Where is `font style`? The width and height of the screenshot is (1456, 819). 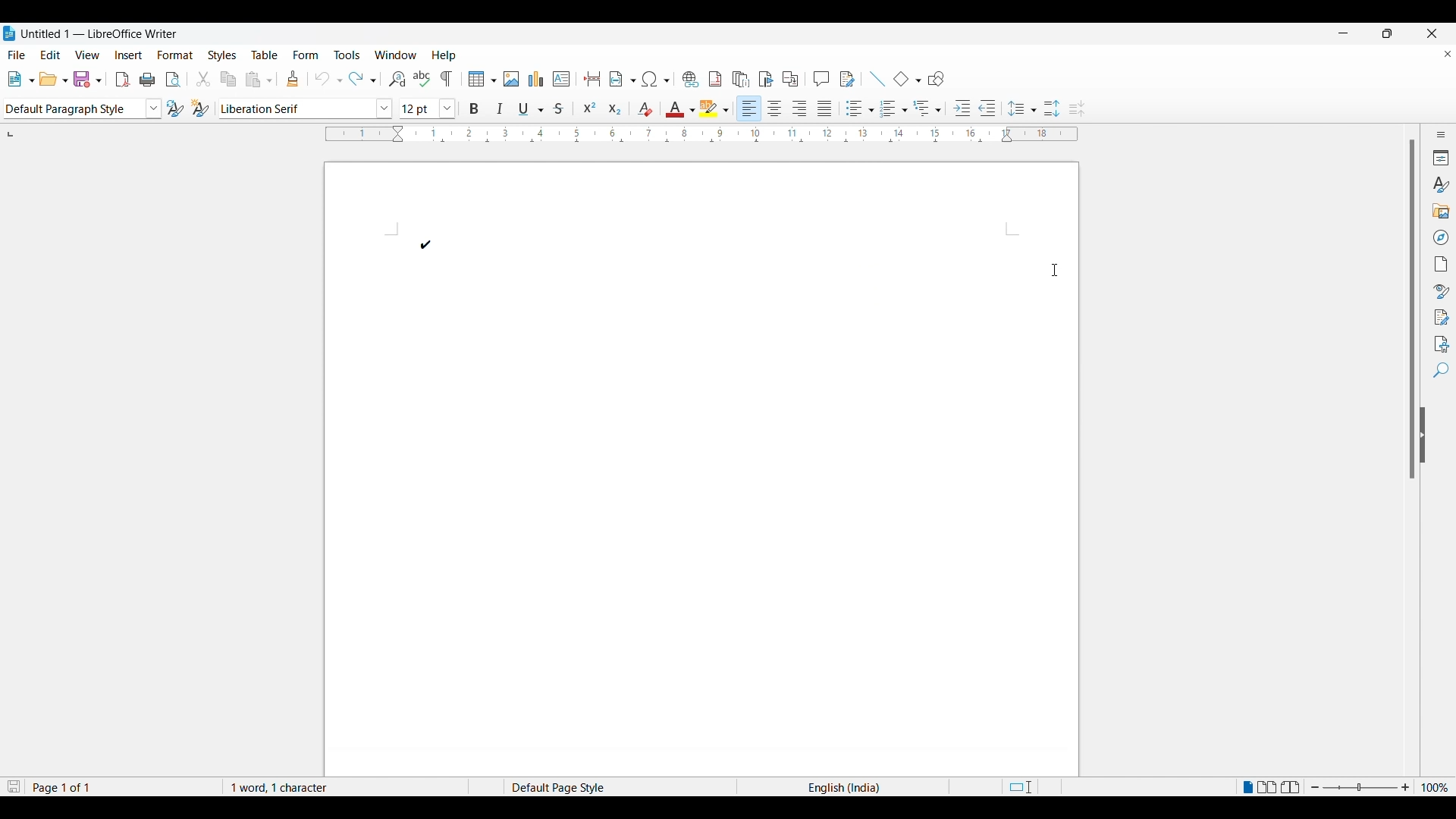
font style is located at coordinates (306, 106).